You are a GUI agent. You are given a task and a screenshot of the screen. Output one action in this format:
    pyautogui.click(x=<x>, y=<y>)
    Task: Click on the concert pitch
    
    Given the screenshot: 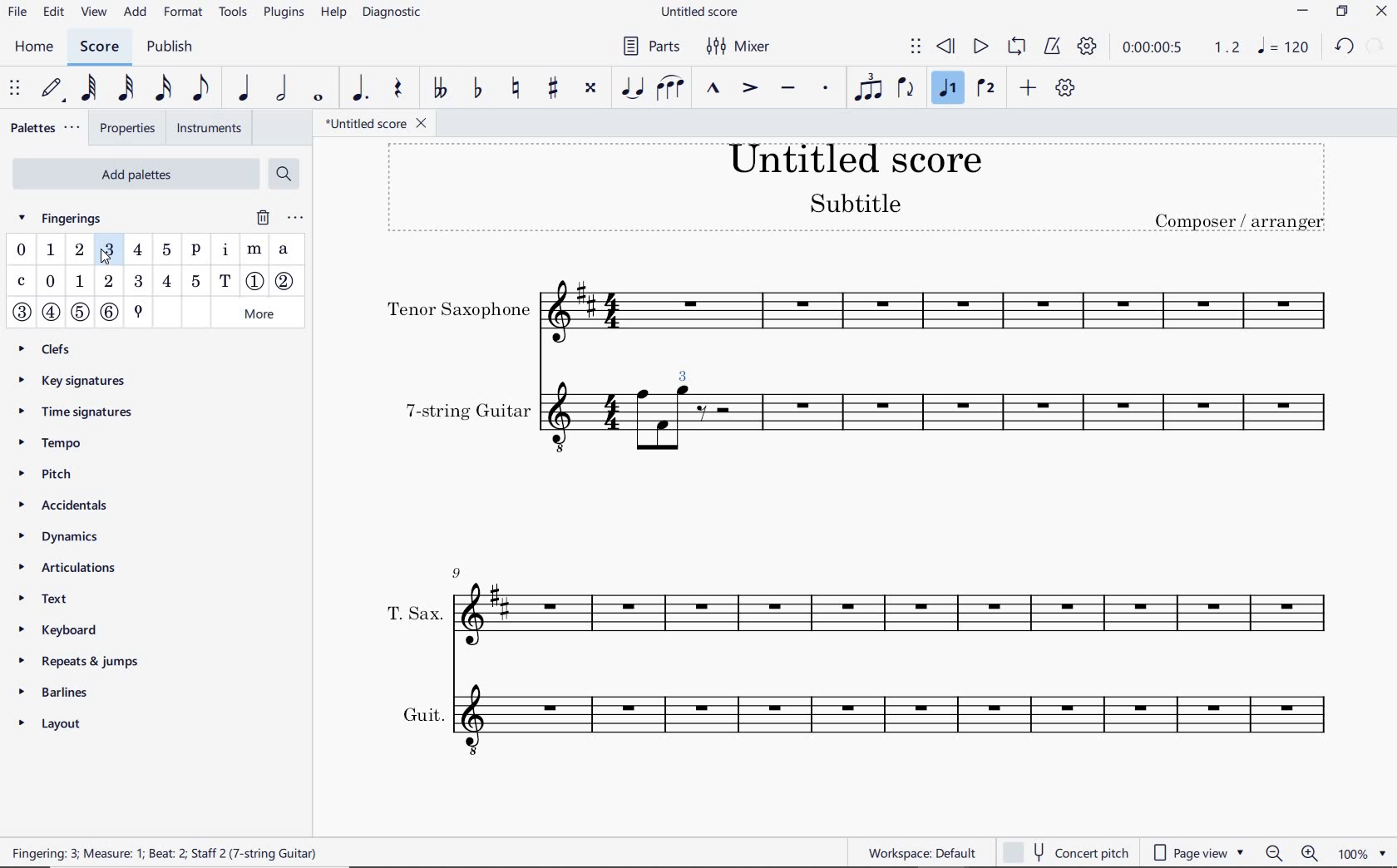 What is the action you would take?
    pyautogui.click(x=1066, y=851)
    